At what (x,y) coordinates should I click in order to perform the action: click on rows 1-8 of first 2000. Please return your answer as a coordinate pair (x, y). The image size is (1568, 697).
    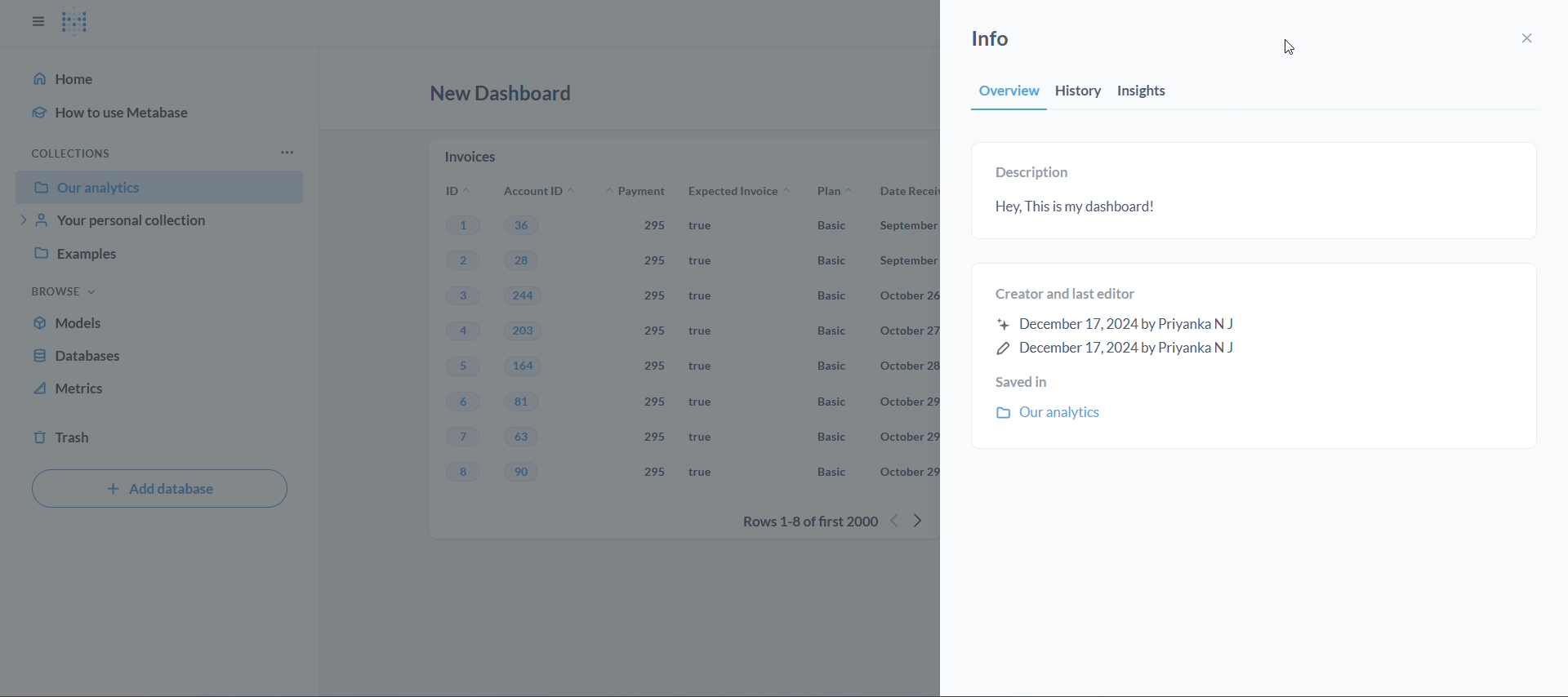
    Looking at the image, I should click on (807, 522).